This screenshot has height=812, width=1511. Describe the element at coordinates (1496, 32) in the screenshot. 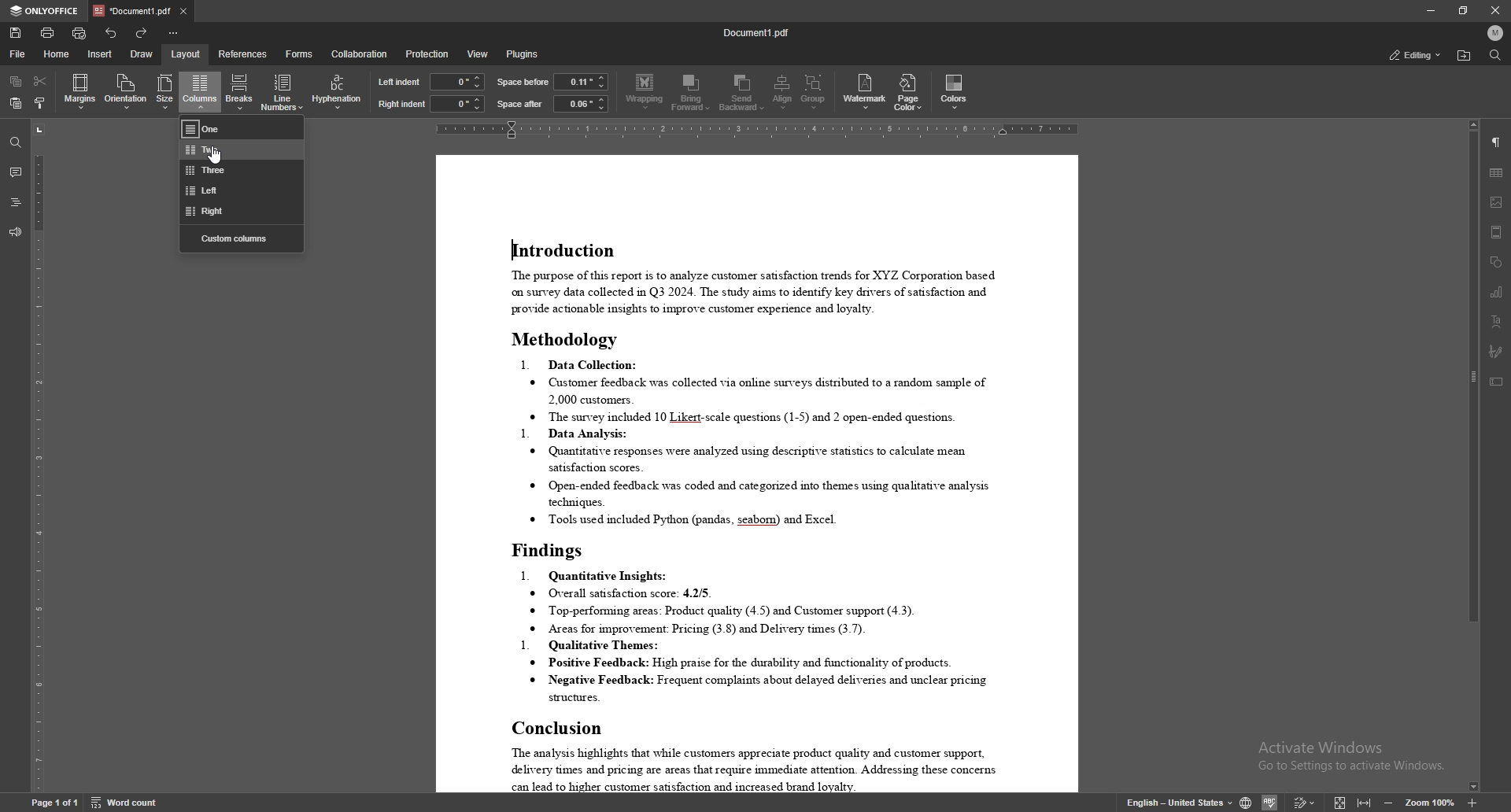

I see `profile` at that location.